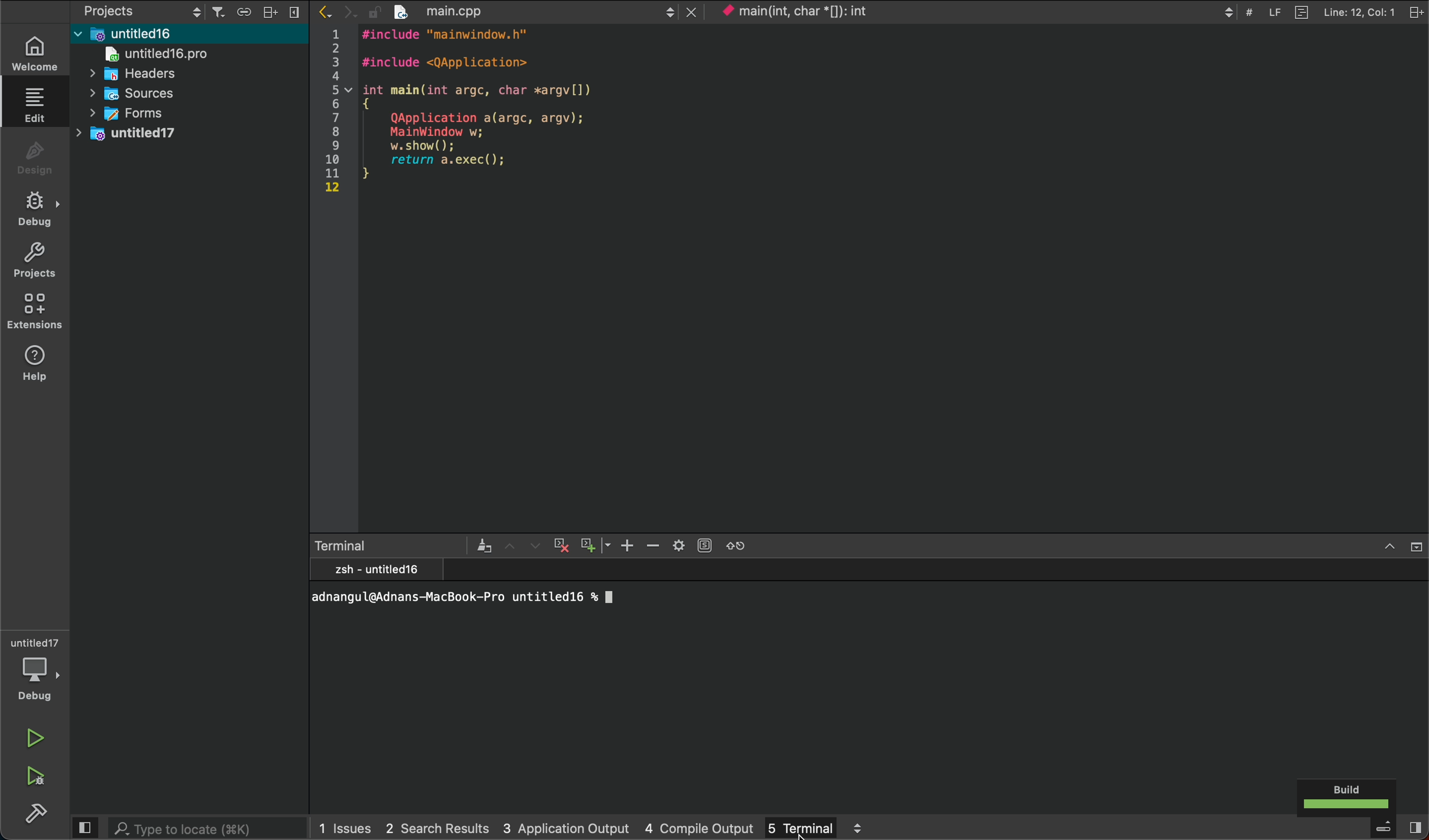  Describe the element at coordinates (864, 601) in the screenshot. I see `adnangul@Adnans-MacBook-Pro untitled16 % ll` at that location.